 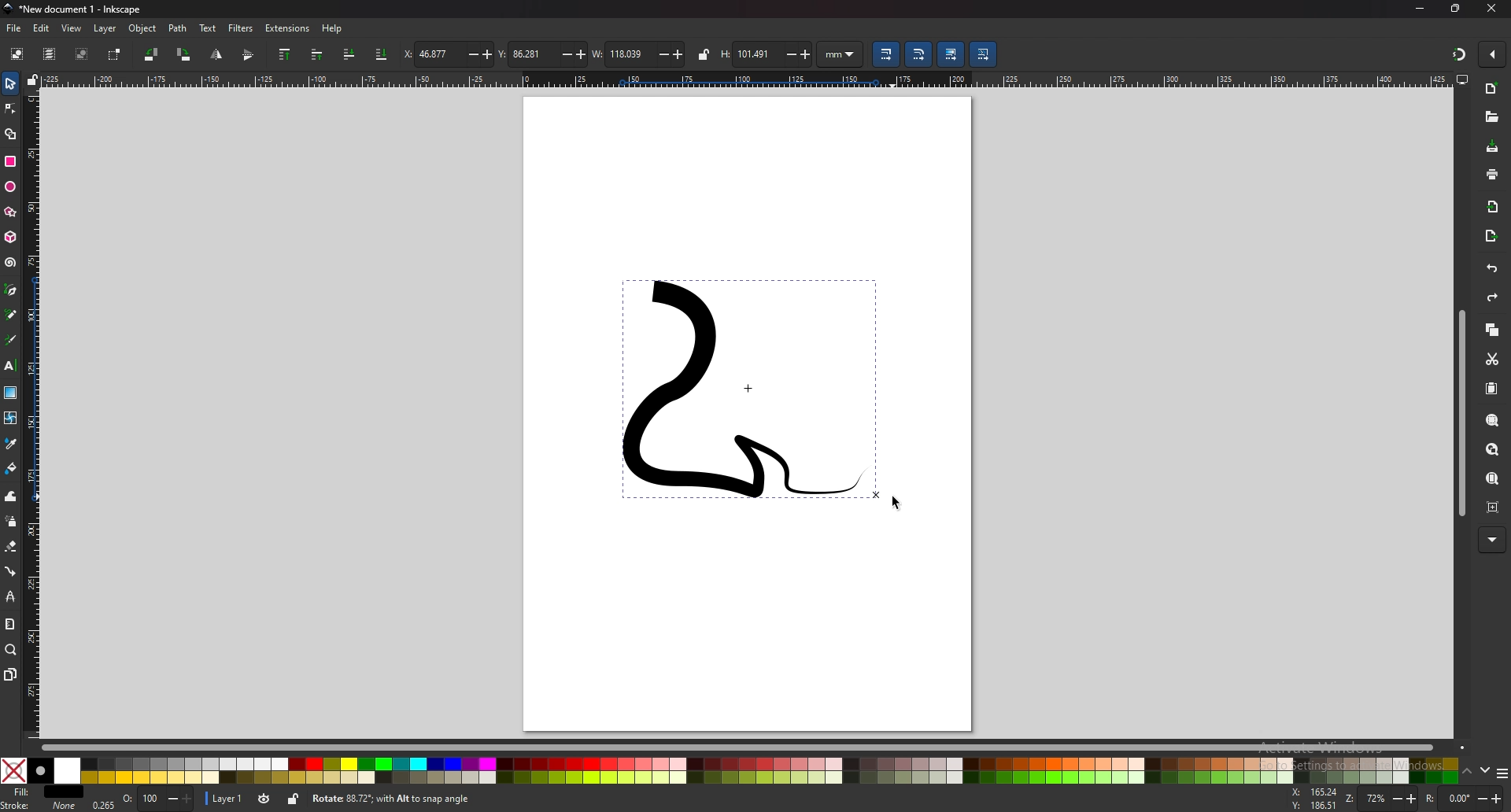 I want to click on object, so click(x=143, y=28).